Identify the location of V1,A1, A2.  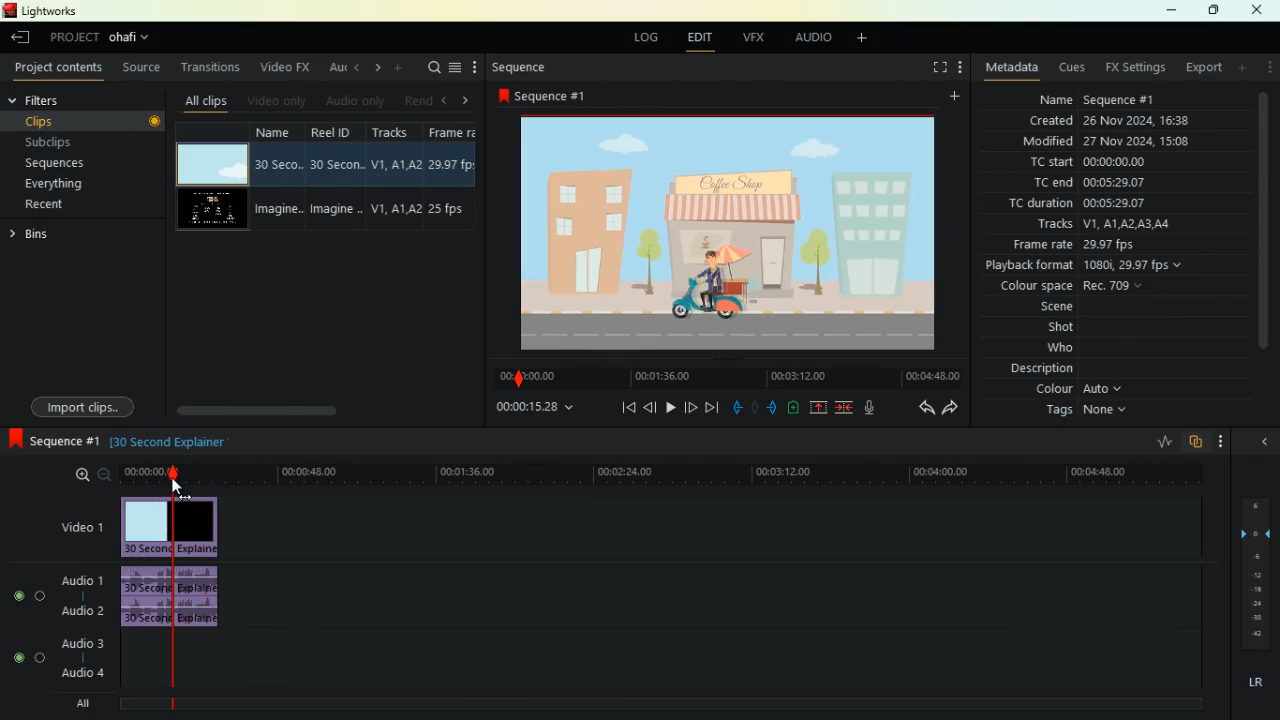
(395, 165).